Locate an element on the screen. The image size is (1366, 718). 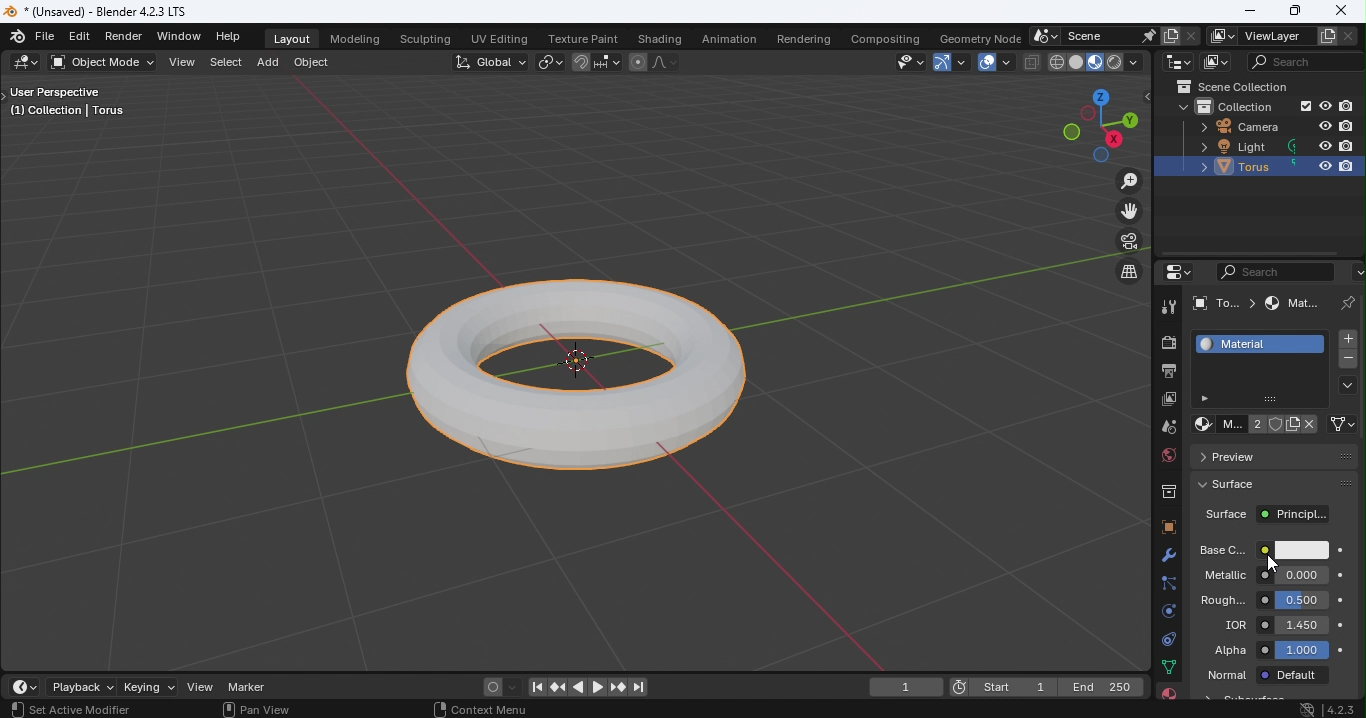
Sets the object interaction mode is located at coordinates (105, 63).